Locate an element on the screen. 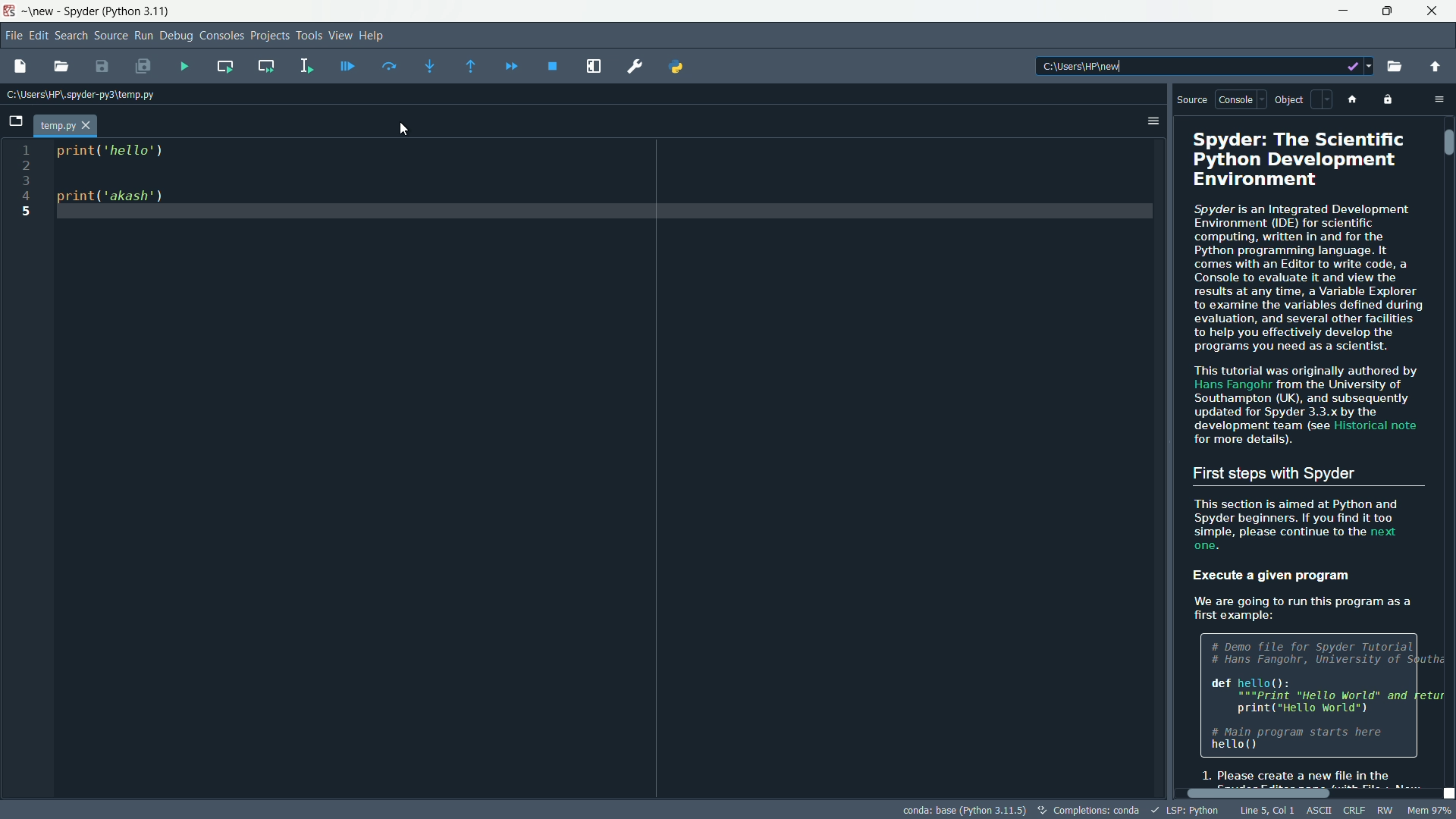  run selection or current line is located at coordinates (303, 64).